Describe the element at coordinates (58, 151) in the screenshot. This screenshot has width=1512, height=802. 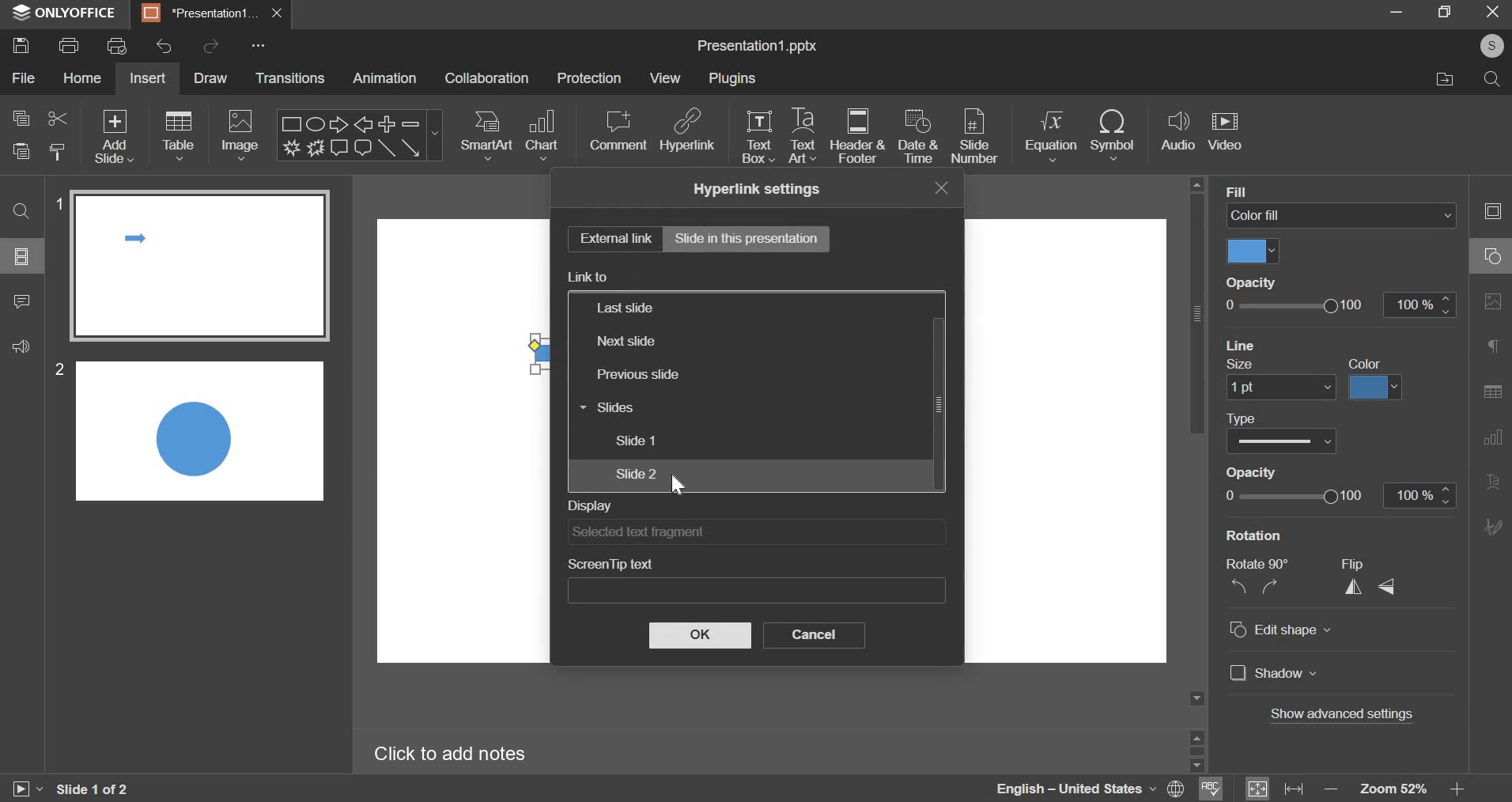
I see `copy style` at that location.